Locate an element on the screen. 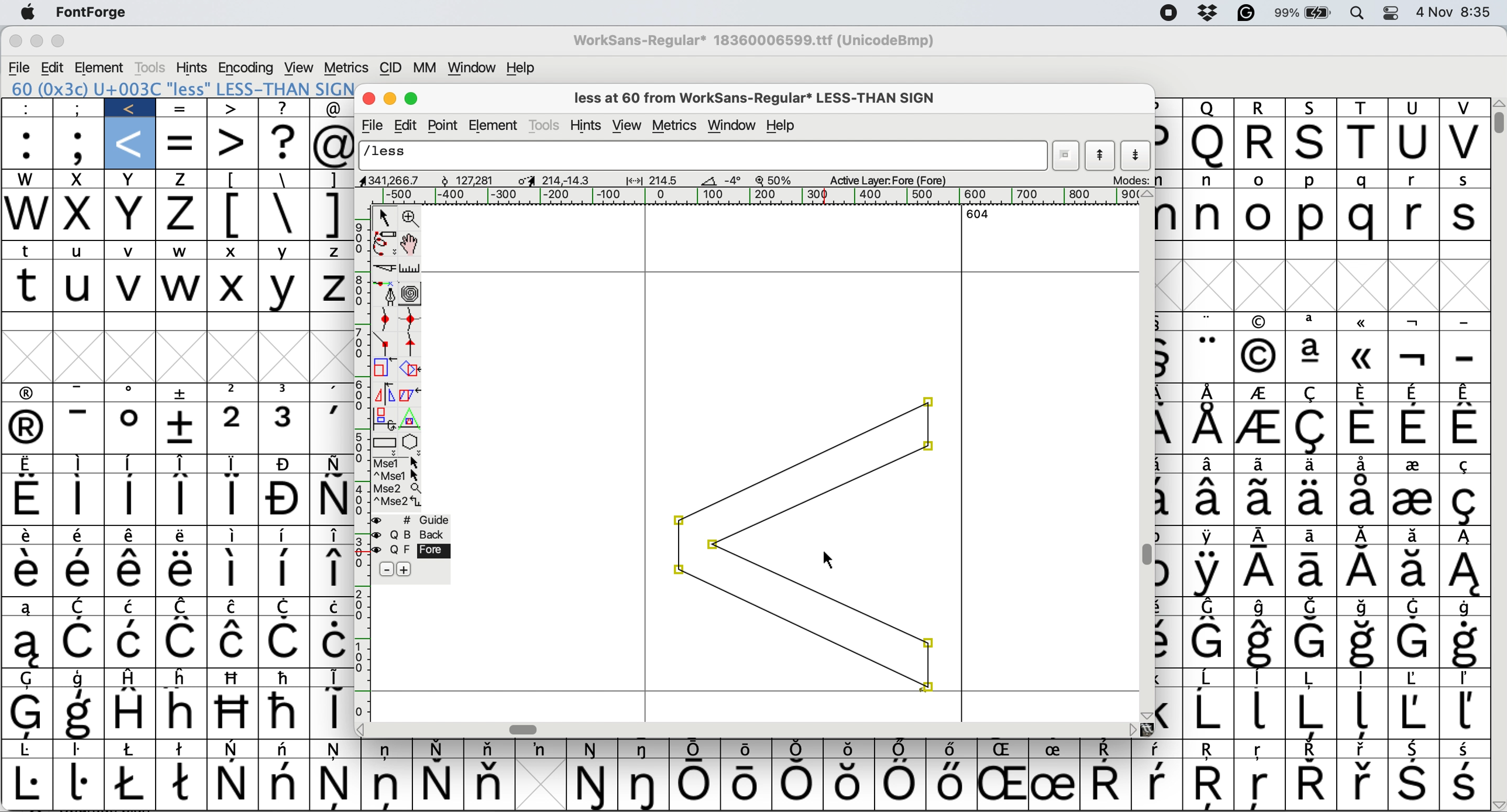 This screenshot has height=812, width=1507. Symbol is located at coordinates (32, 572).